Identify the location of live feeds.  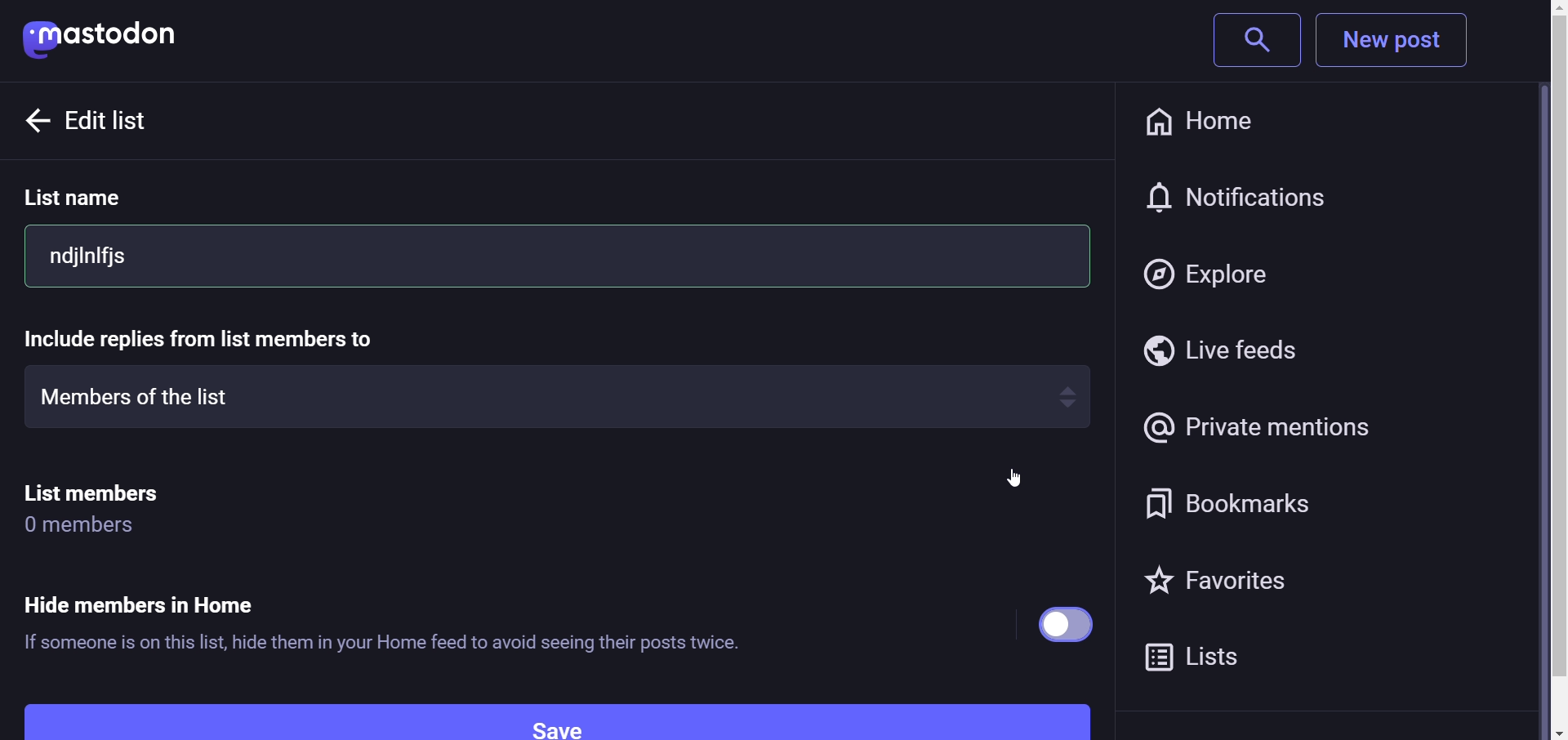
(1223, 350).